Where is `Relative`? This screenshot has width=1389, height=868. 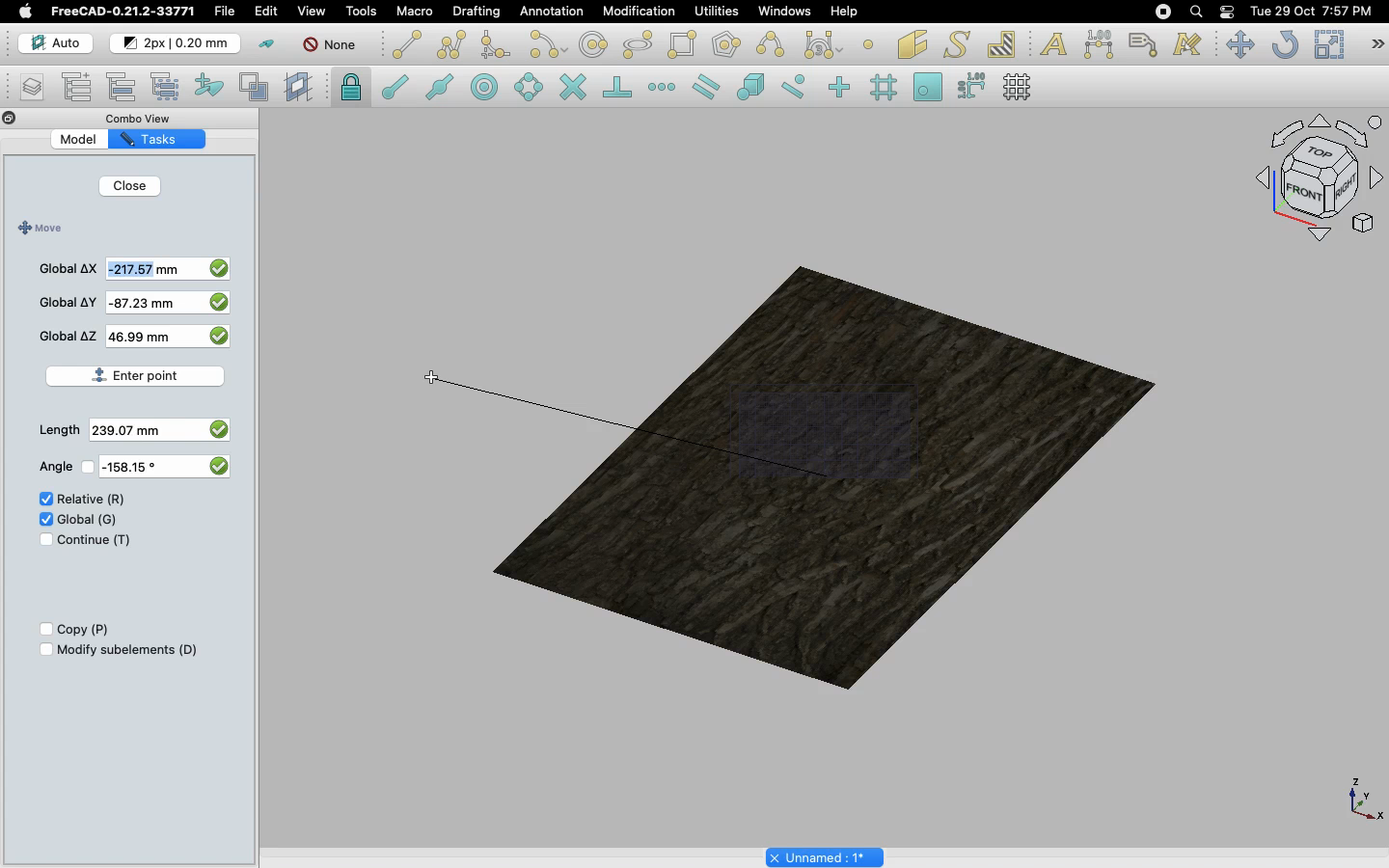 Relative is located at coordinates (92, 500).